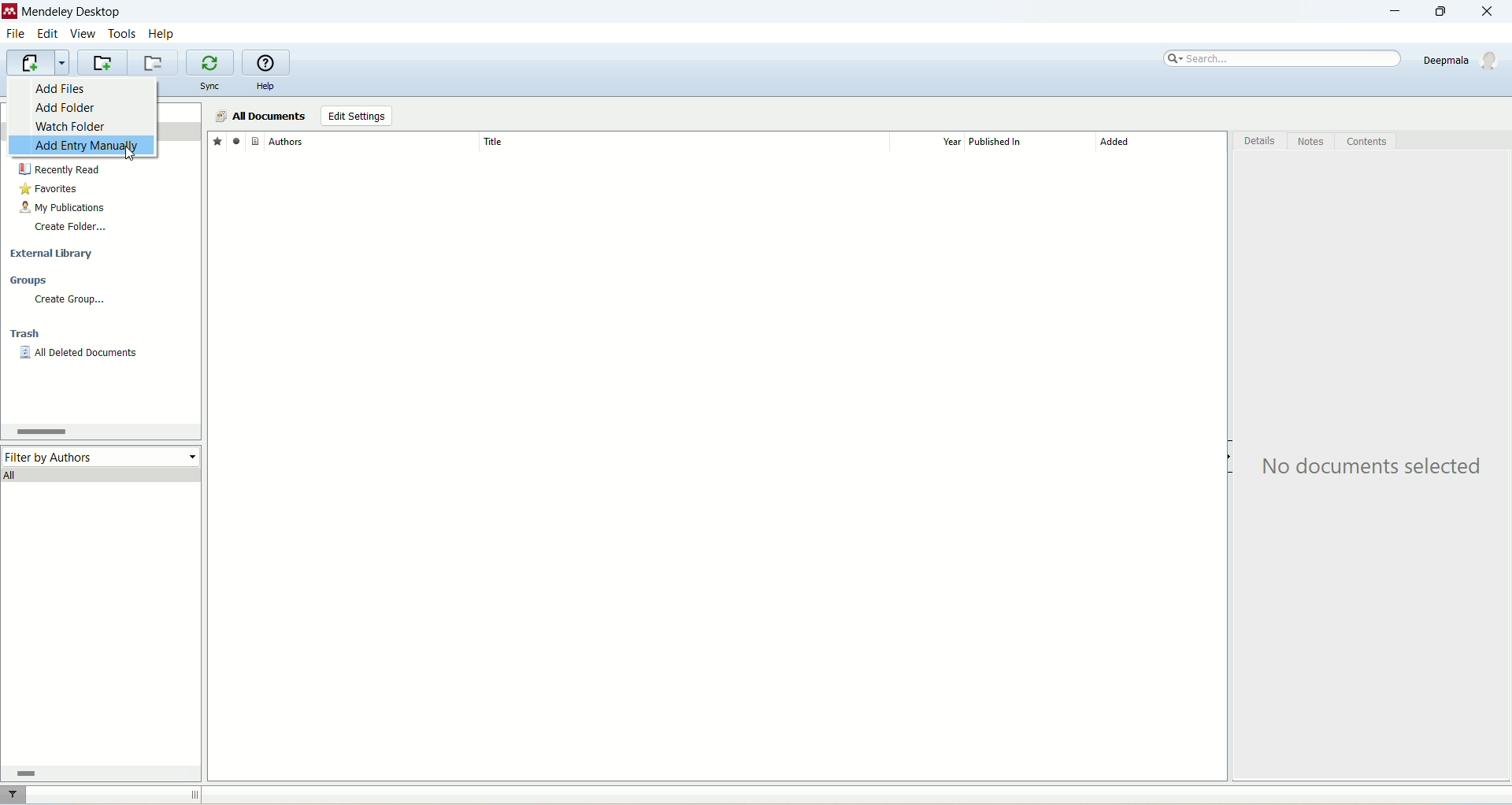 The width and height of the screenshot is (1512, 805). What do you see at coordinates (102, 63) in the screenshot?
I see `create a new folder` at bounding box center [102, 63].